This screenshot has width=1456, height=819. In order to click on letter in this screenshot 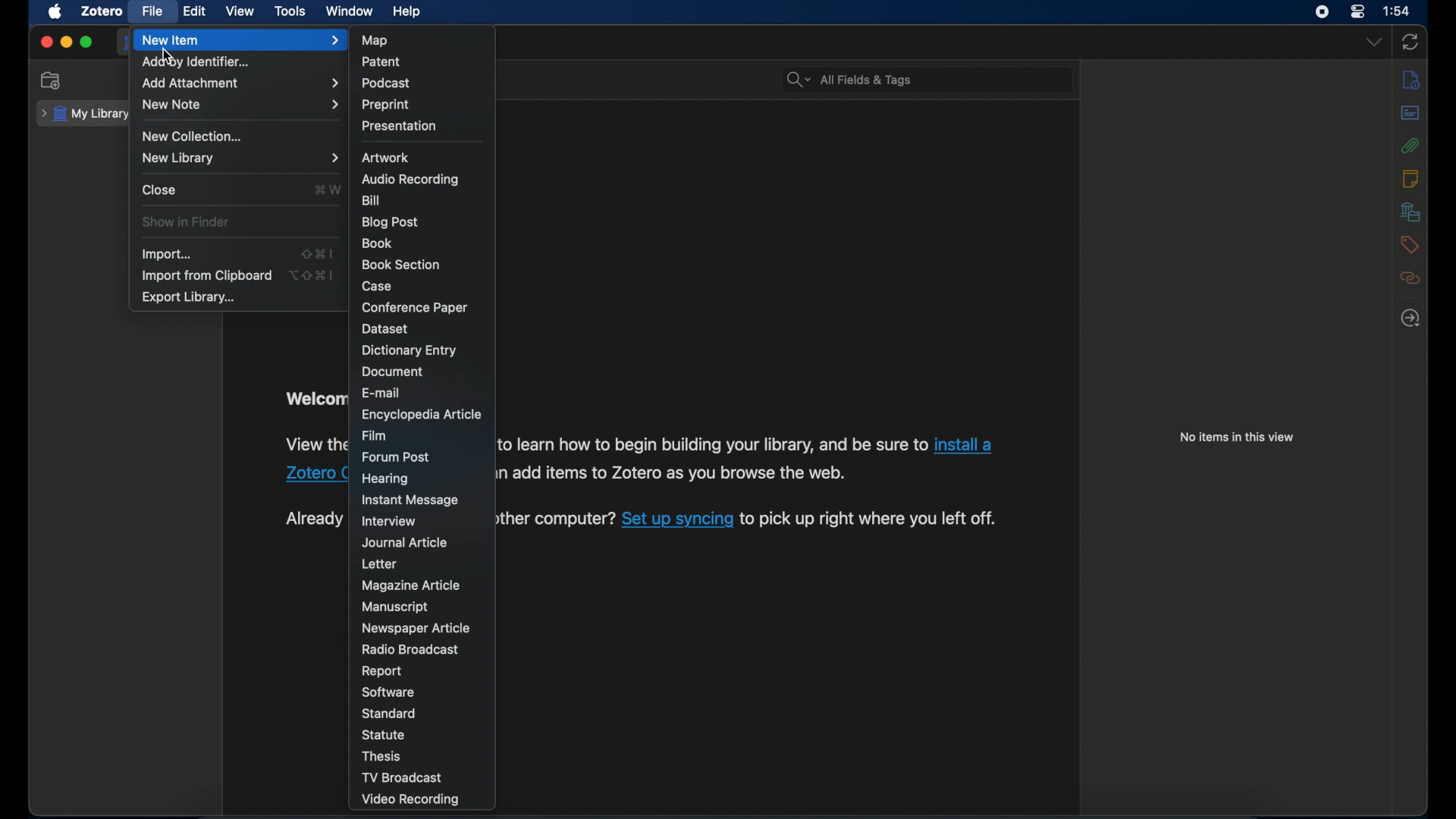, I will do `click(378, 563)`.